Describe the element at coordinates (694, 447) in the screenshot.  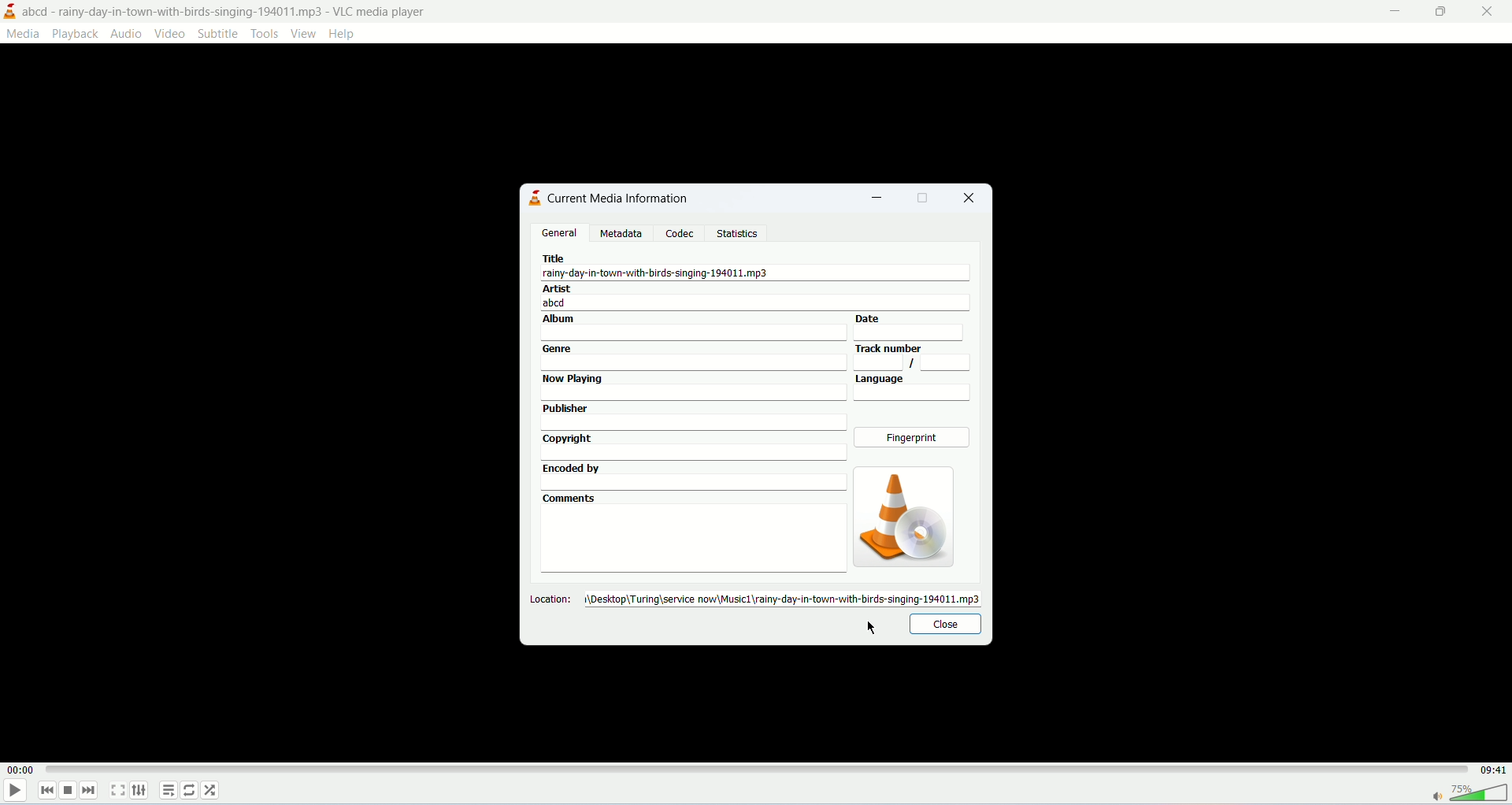
I see `copyright` at that location.